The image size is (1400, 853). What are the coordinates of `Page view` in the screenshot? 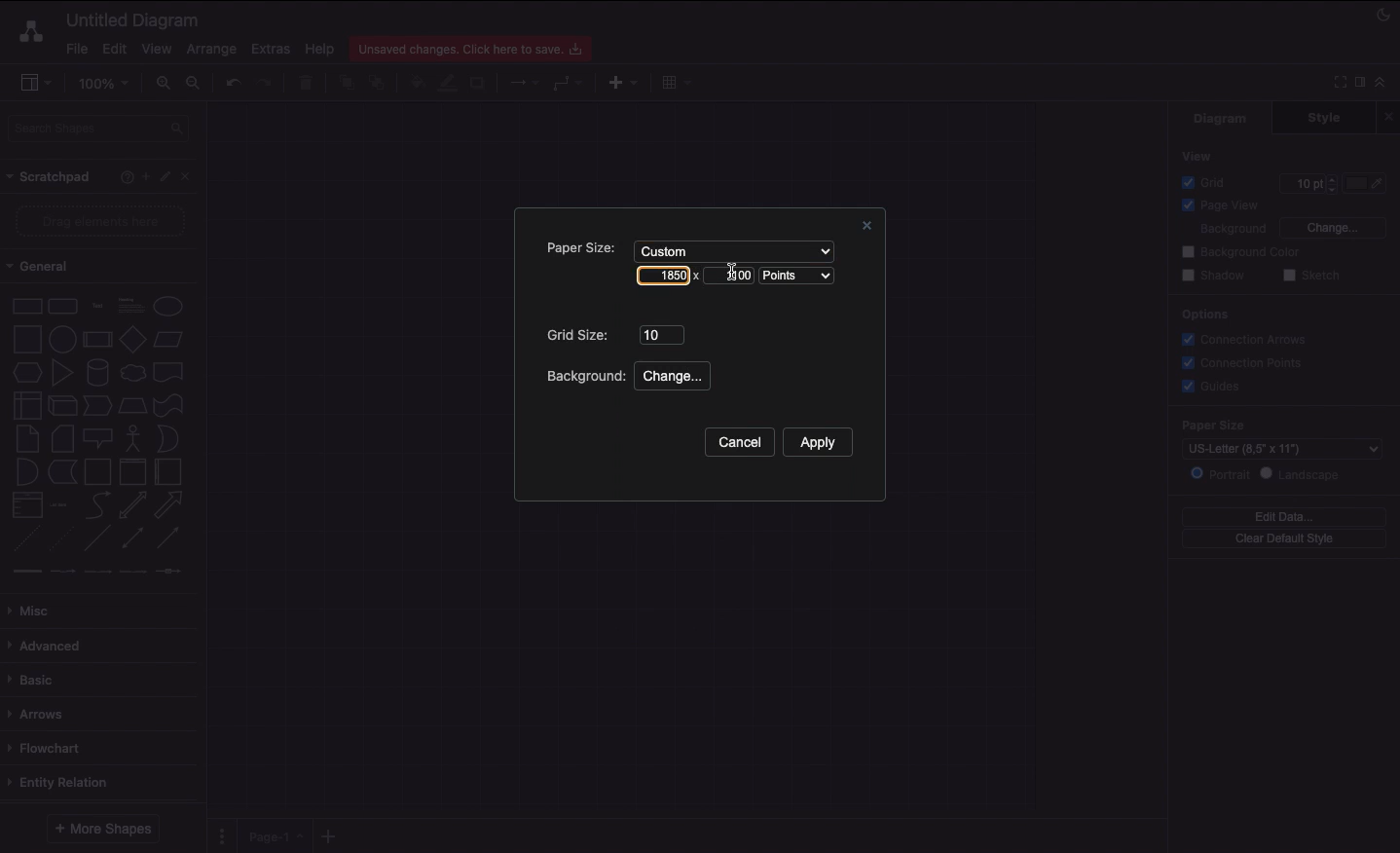 It's located at (1217, 206).